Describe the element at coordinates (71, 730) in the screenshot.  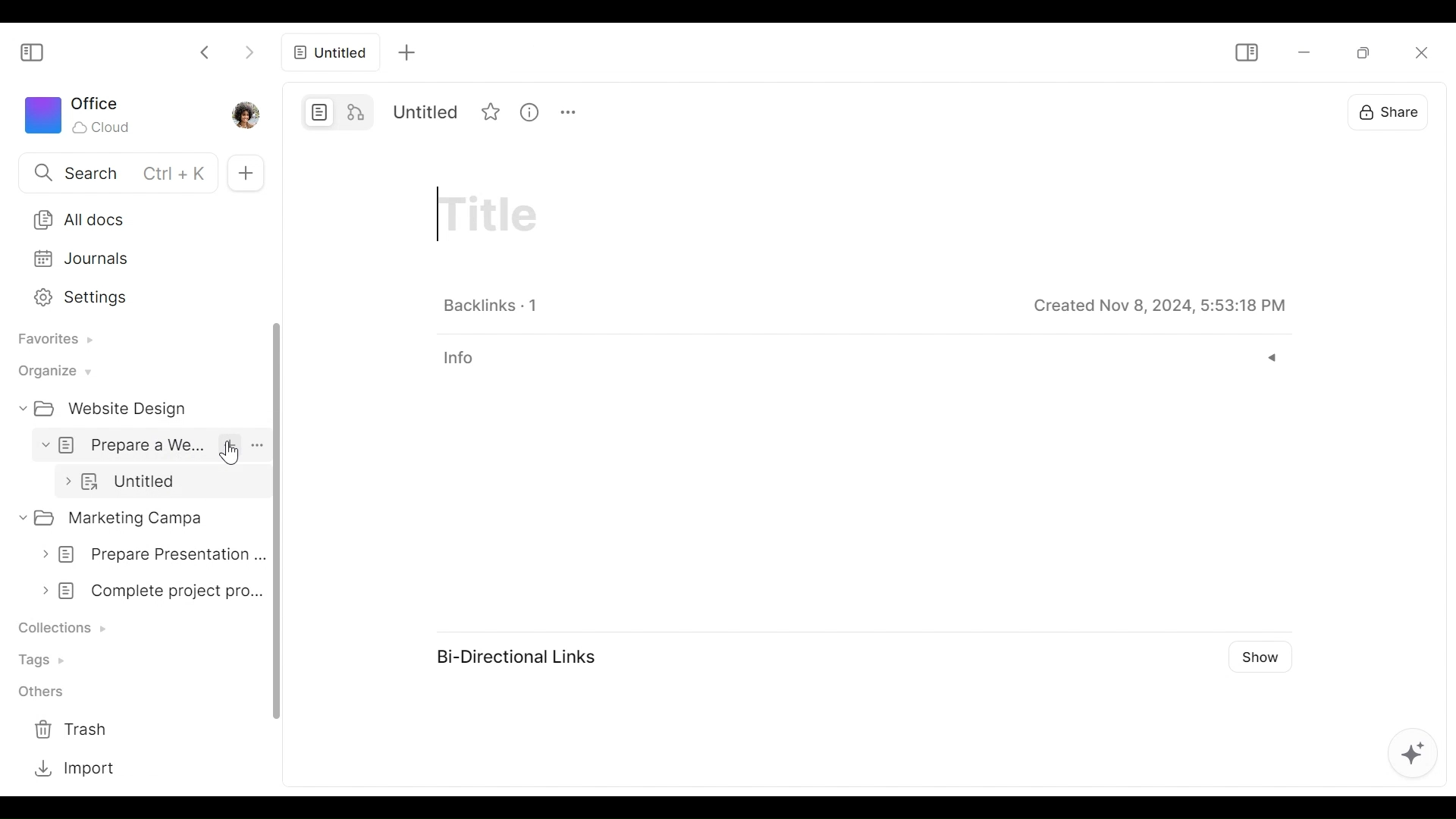
I see `Trash` at that location.